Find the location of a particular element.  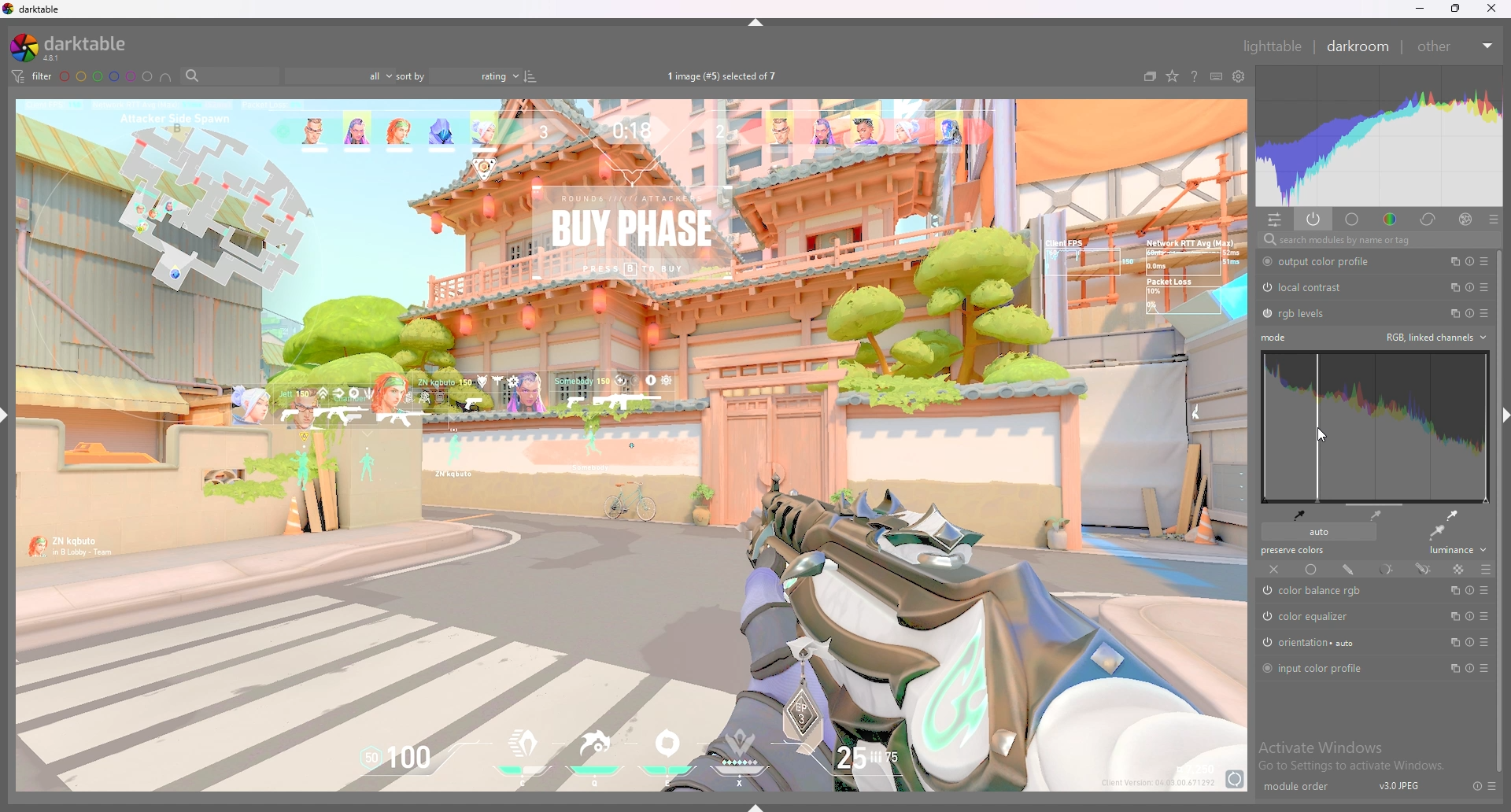

switched on is located at coordinates (1265, 669).